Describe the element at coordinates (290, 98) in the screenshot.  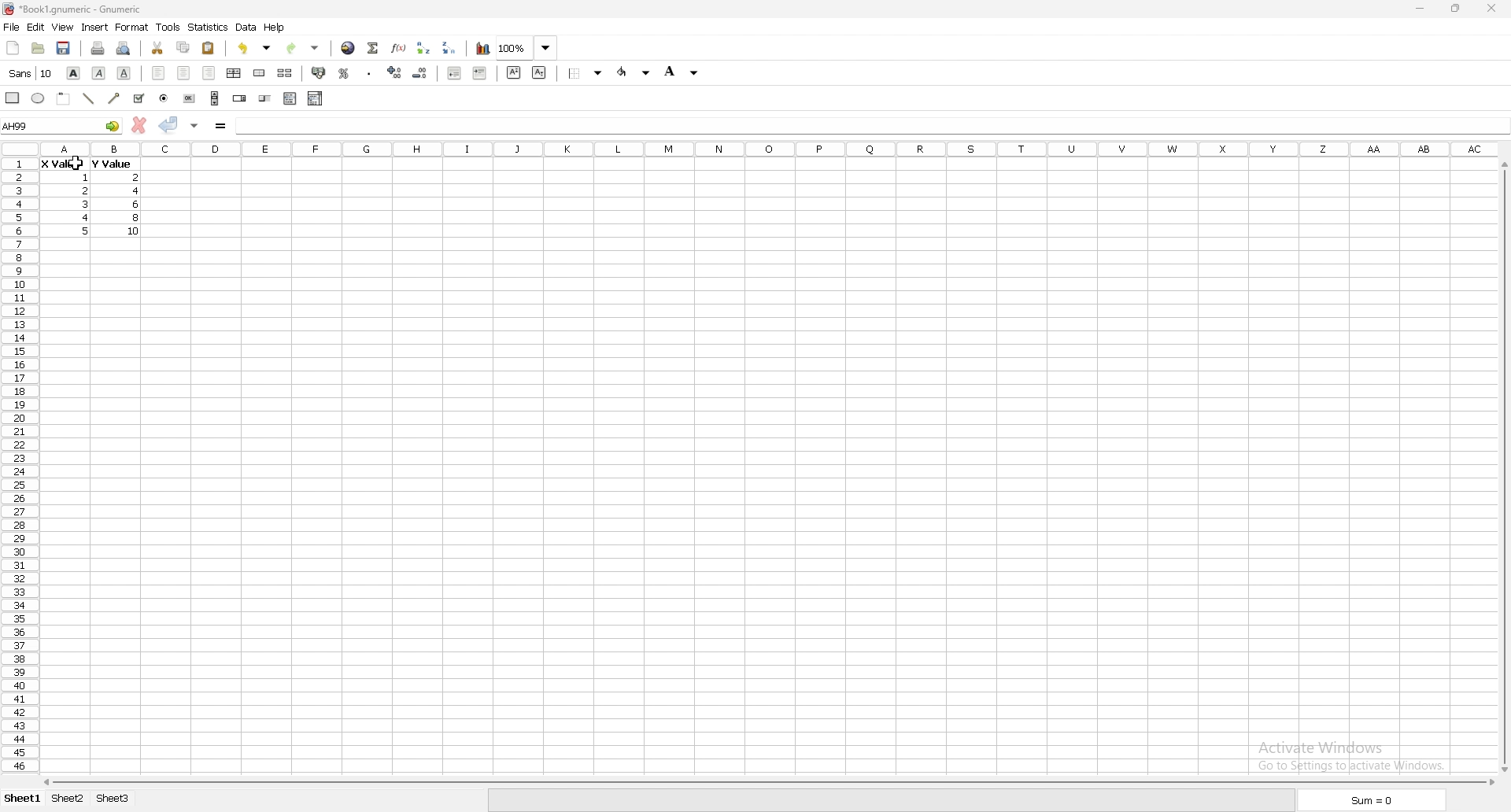
I see `list` at that location.